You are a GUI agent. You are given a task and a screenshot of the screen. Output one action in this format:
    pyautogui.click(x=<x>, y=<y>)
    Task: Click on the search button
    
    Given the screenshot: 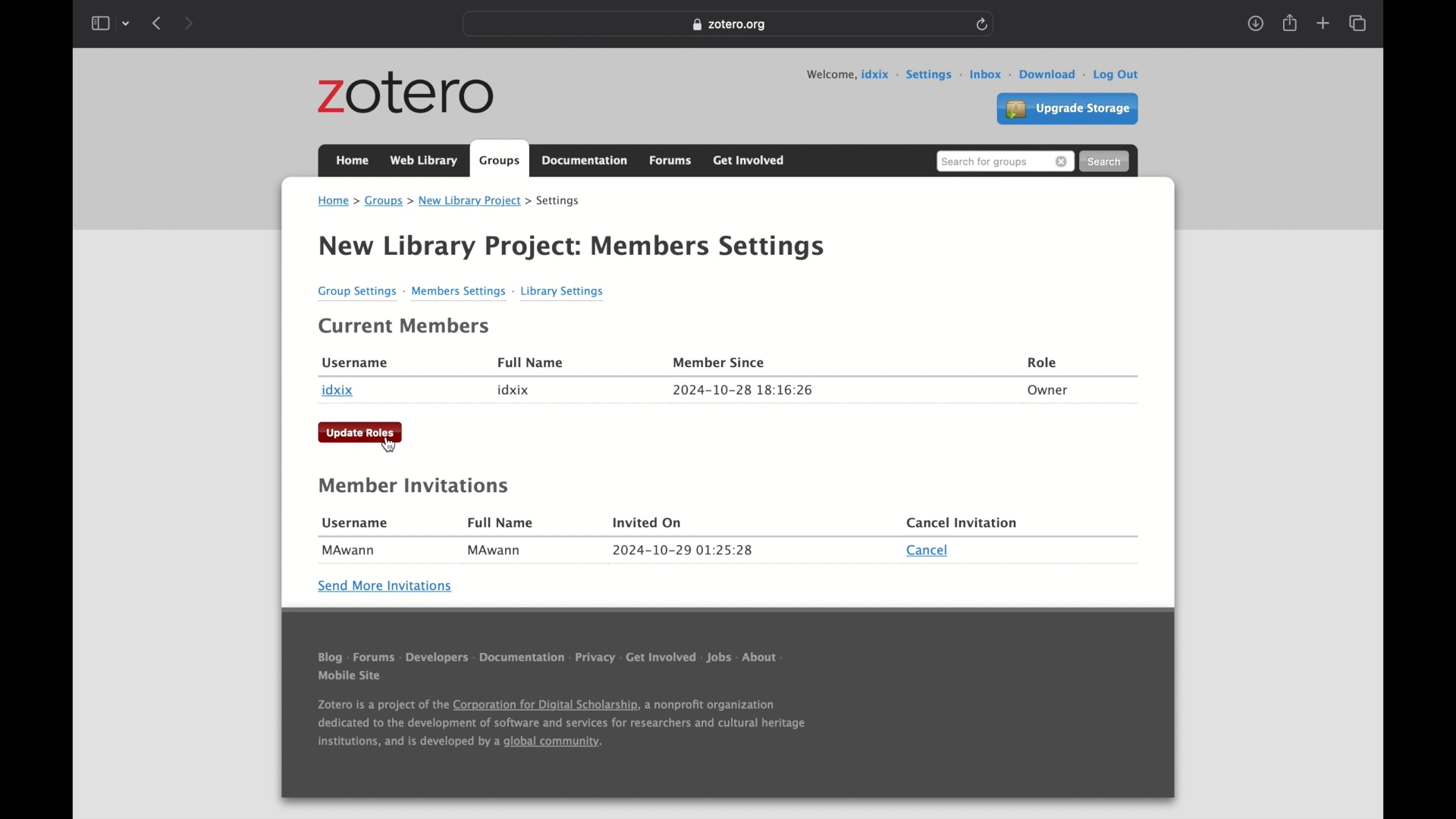 What is the action you would take?
    pyautogui.click(x=1105, y=162)
    